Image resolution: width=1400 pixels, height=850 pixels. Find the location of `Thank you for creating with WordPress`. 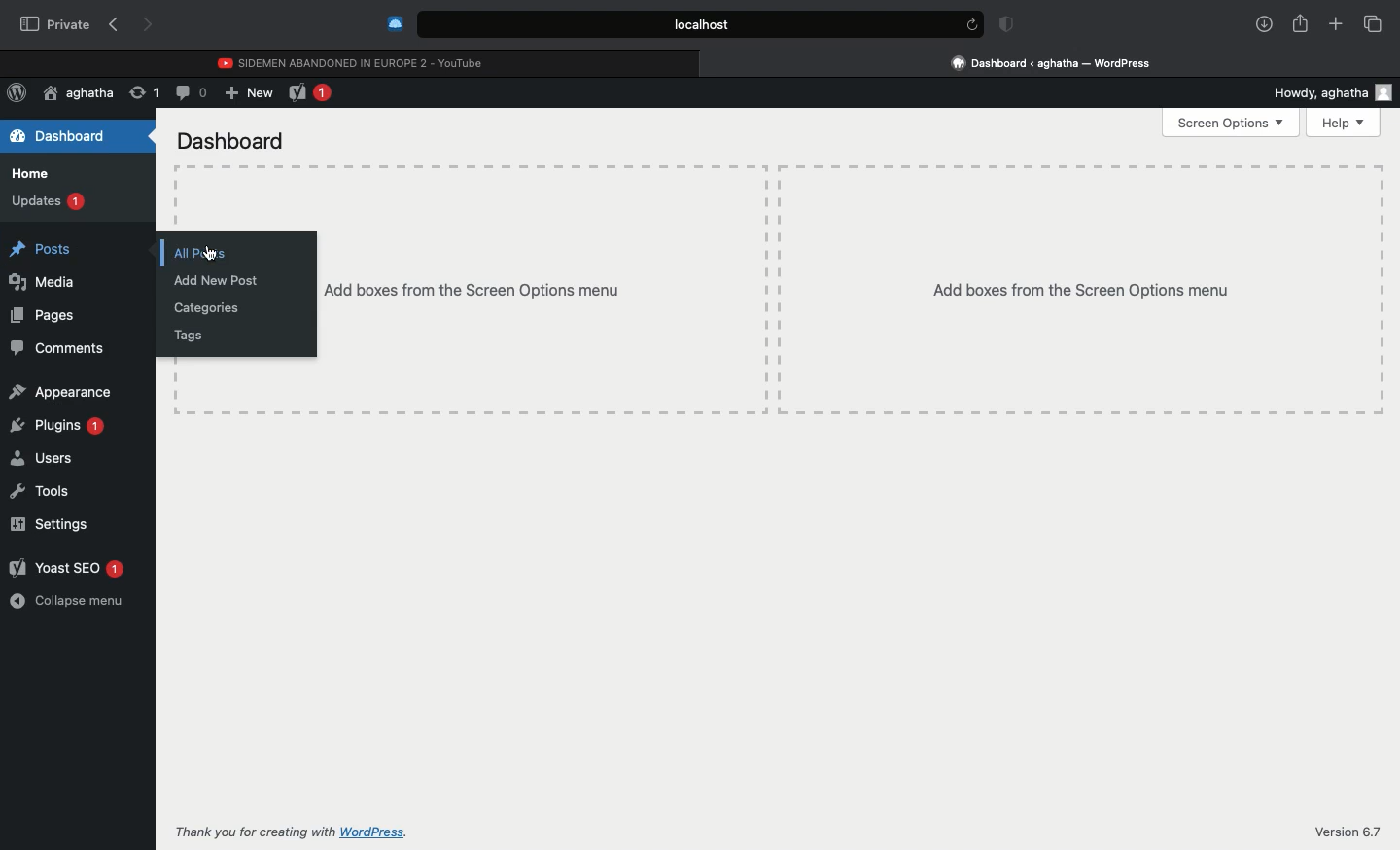

Thank you for creating with WordPress is located at coordinates (291, 832).